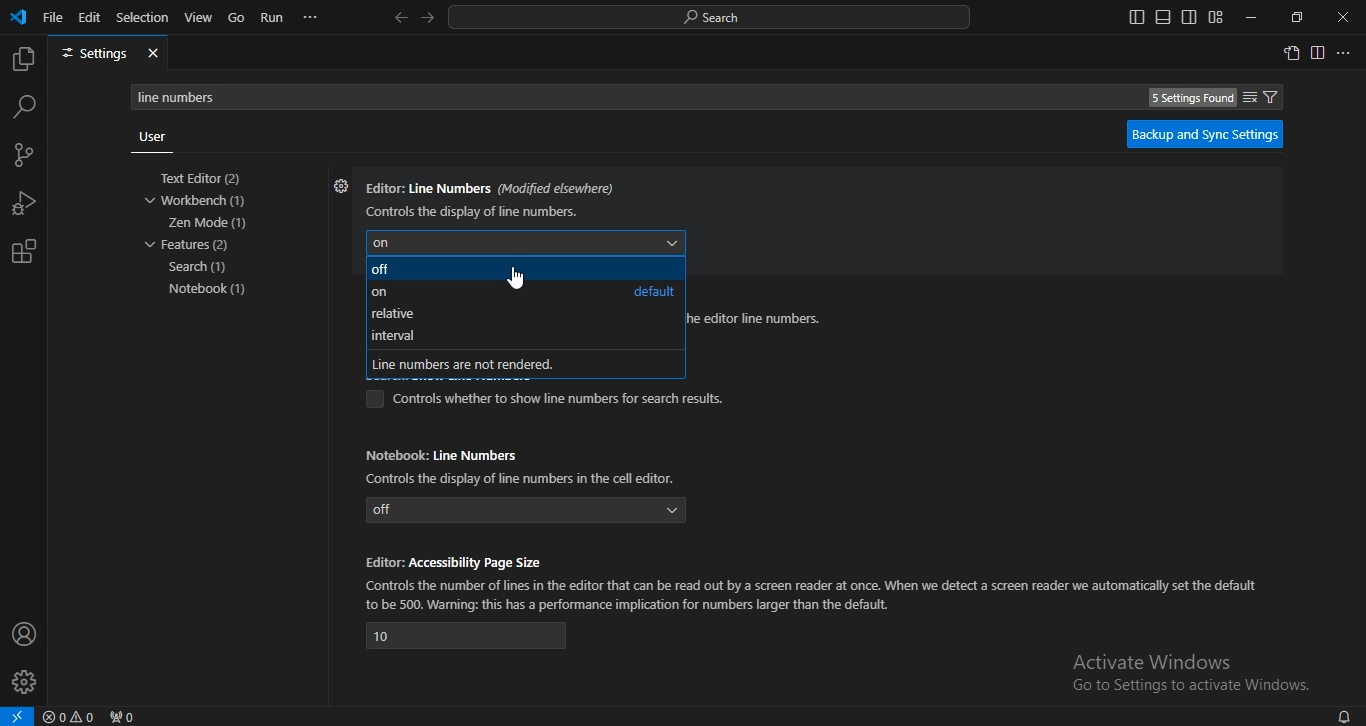  I want to click on line numbers are not rendered, so click(476, 362).